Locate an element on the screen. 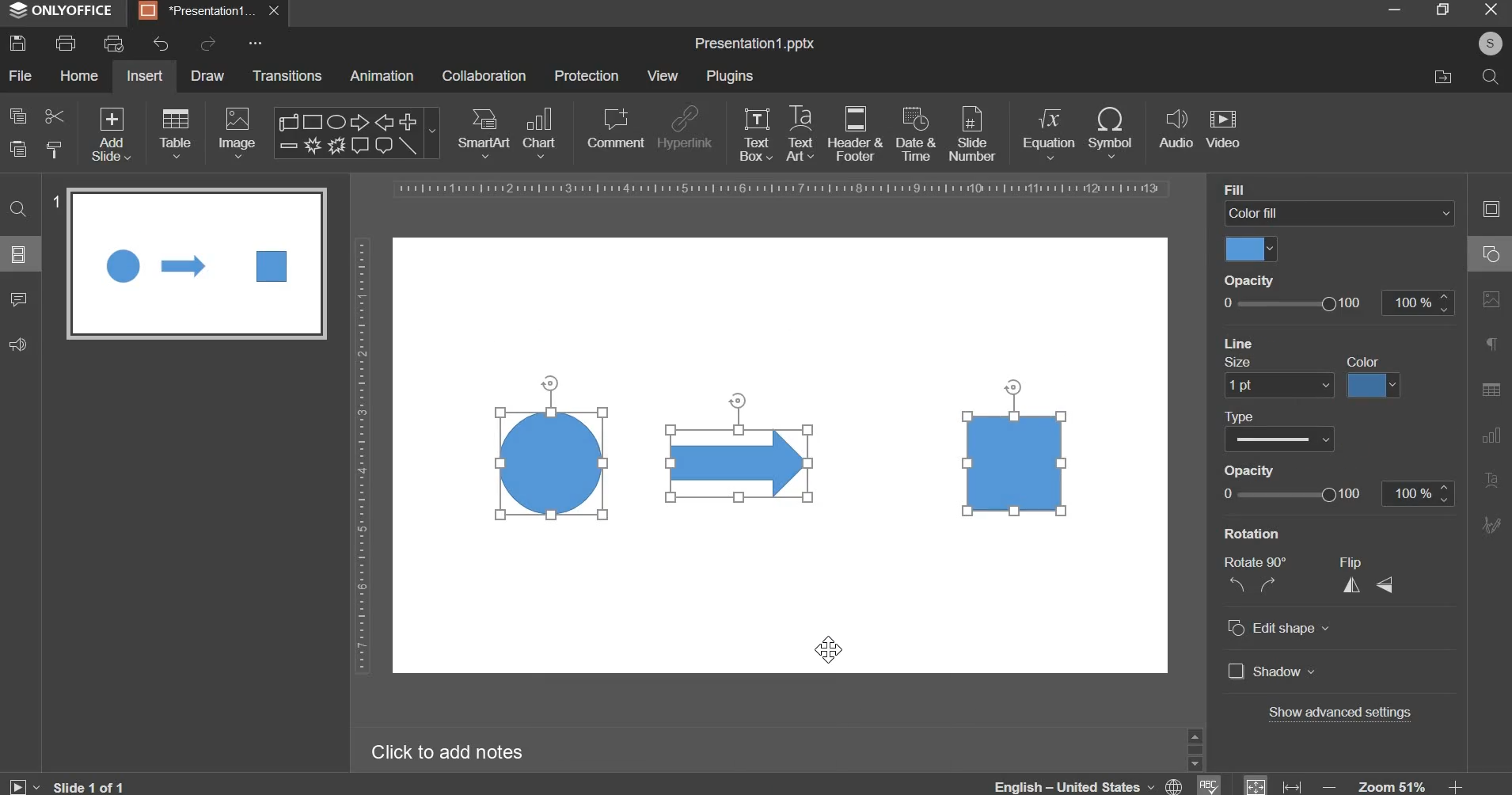 The image size is (1512, 795). Slide1 of 1 is located at coordinates (92, 785).